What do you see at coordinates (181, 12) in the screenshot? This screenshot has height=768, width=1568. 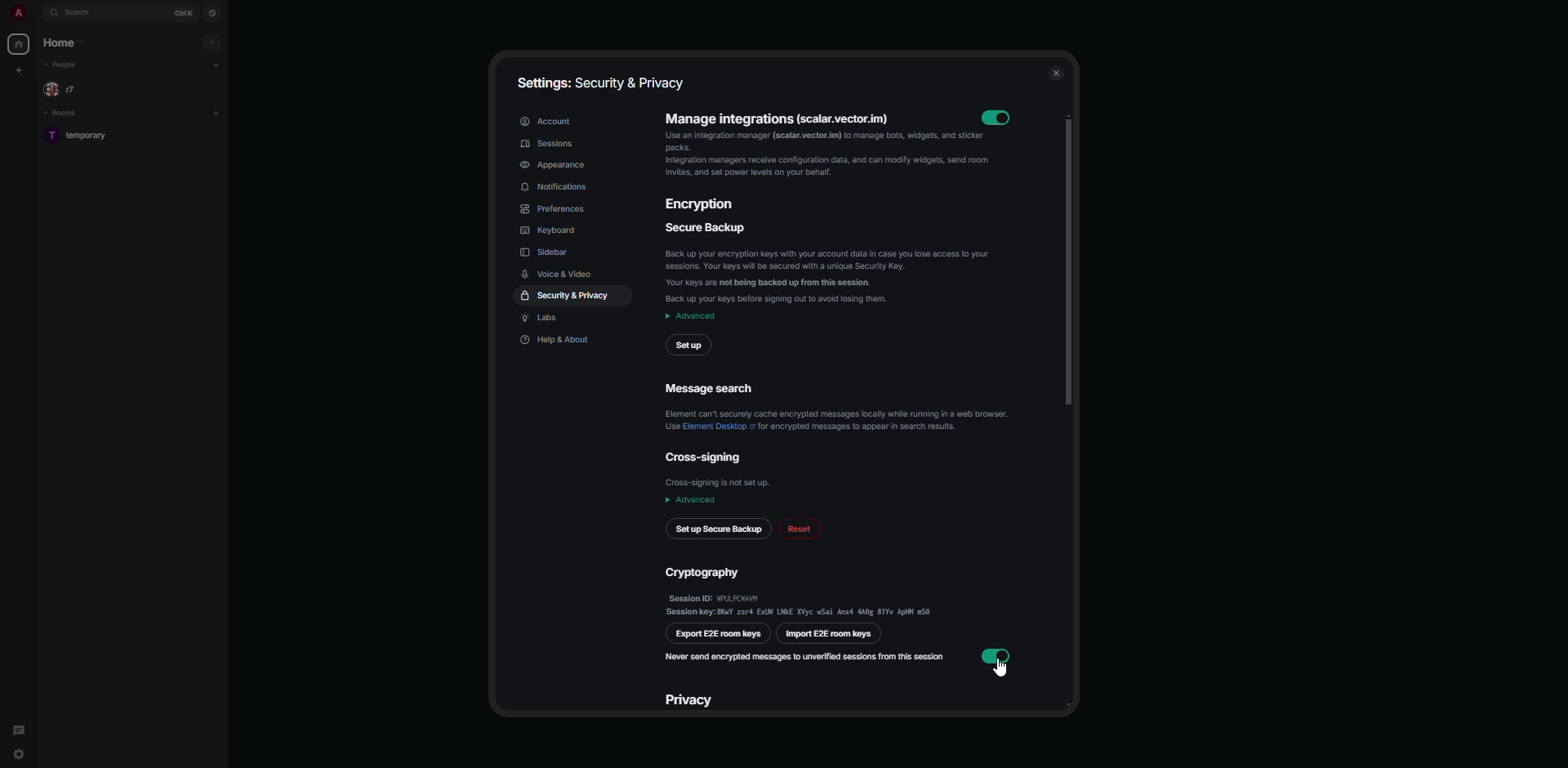 I see `ctrl K` at bounding box center [181, 12].